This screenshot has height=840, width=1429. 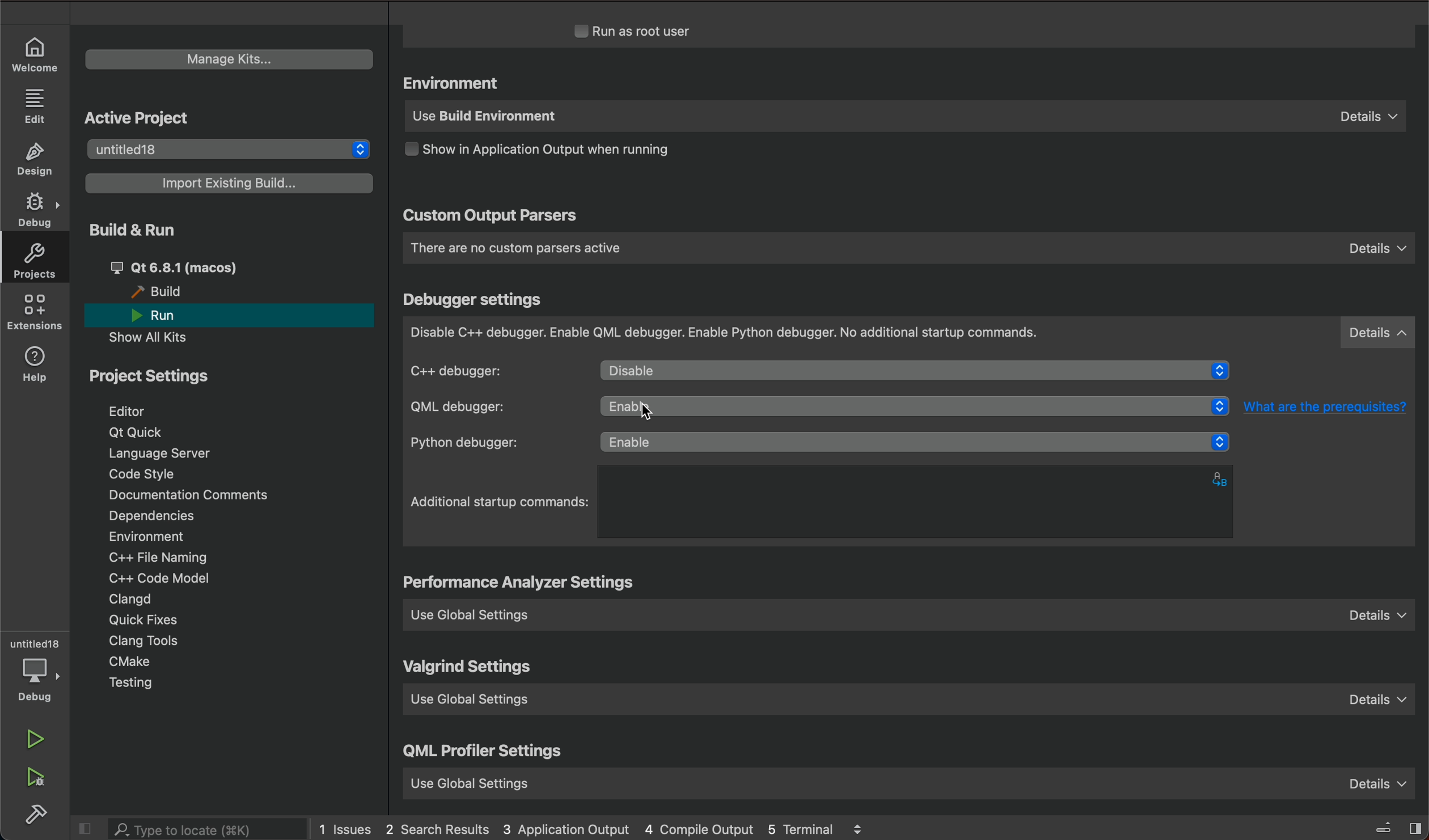 I want to click on projects, so click(x=40, y=264).